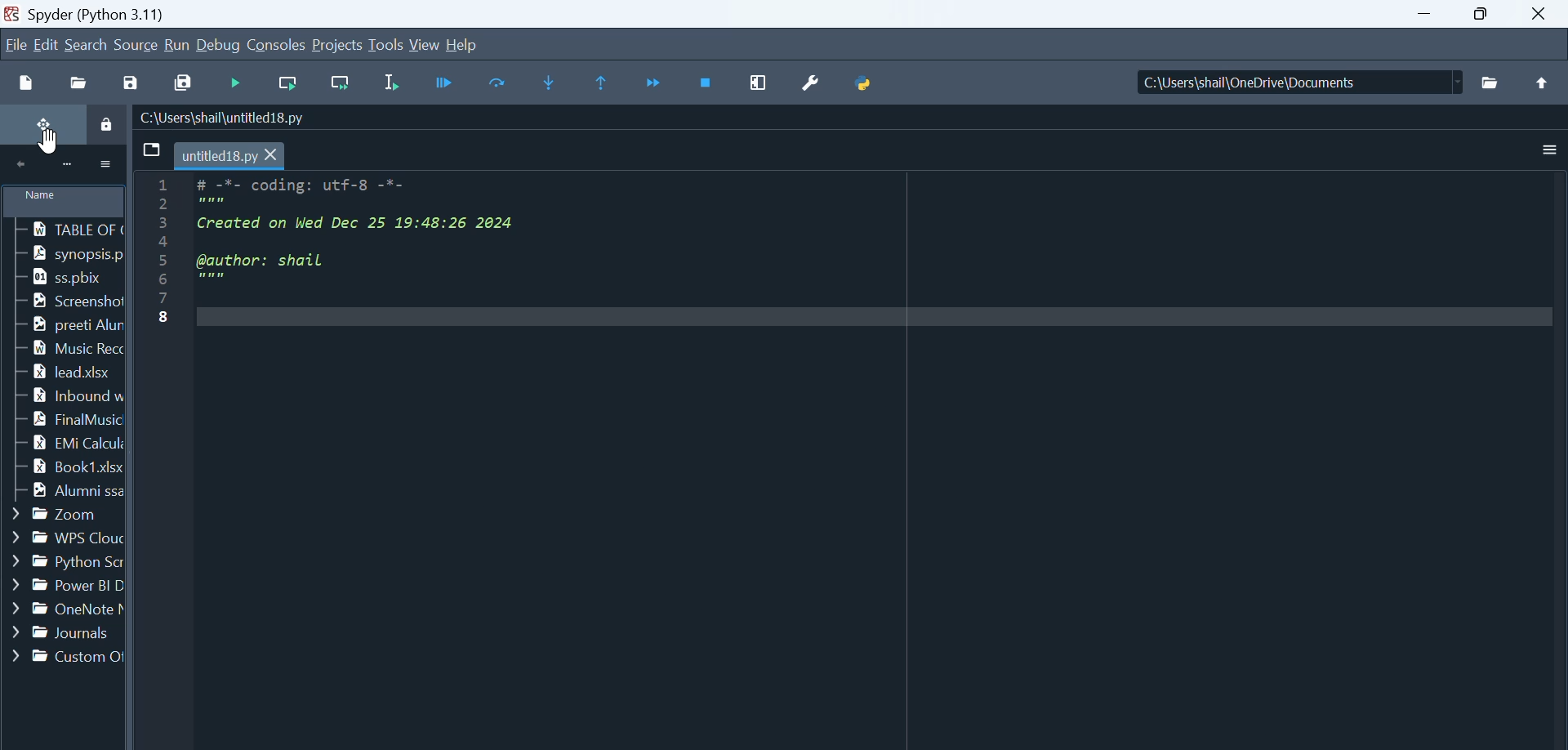  Describe the element at coordinates (60, 325) in the screenshot. I see `preeti Alur.` at that location.